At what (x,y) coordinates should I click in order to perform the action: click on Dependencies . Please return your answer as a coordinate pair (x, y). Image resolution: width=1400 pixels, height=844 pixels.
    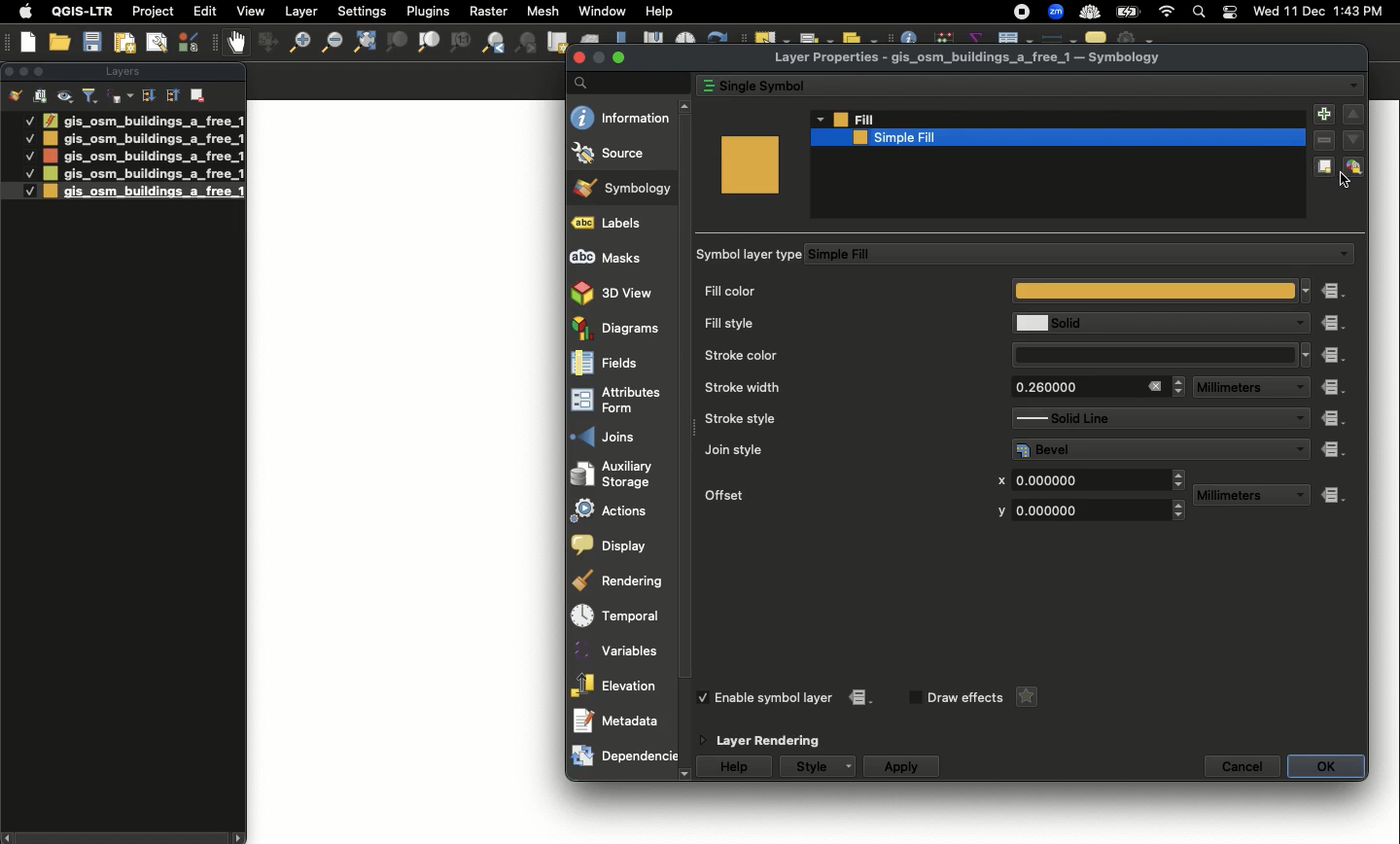
    Looking at the image, I should click on (625, 757).